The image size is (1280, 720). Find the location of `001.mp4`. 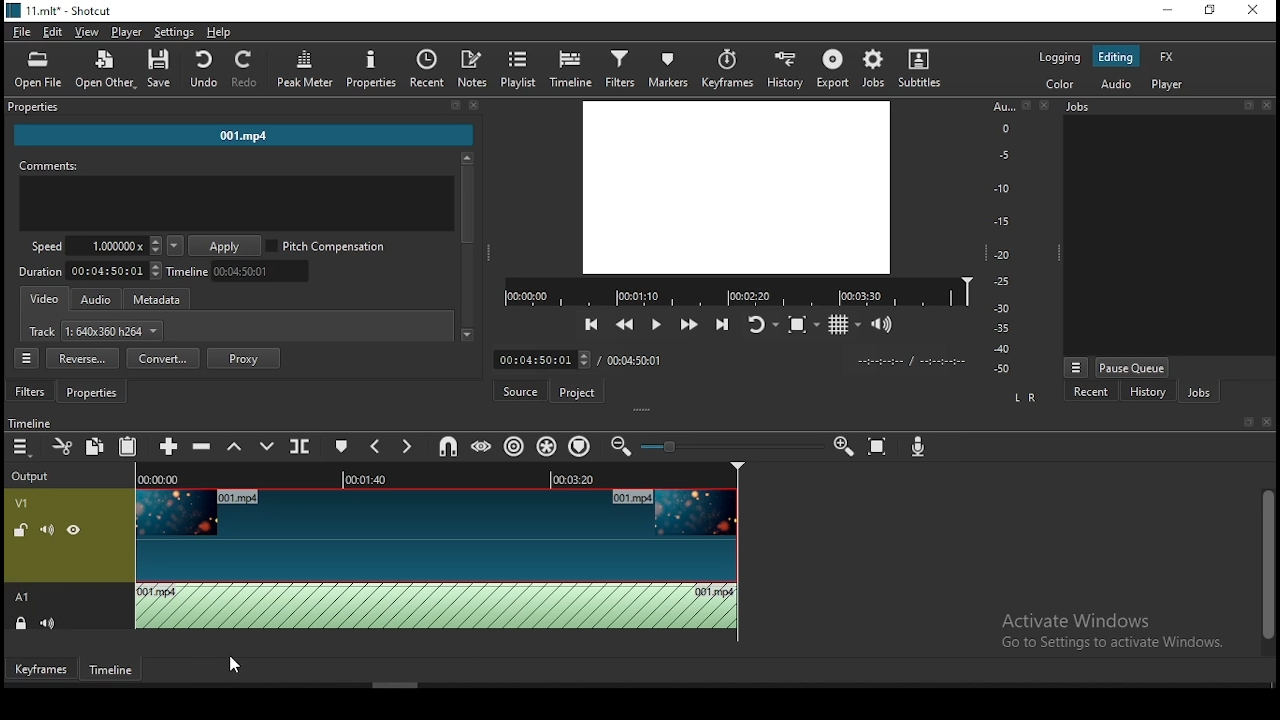

001.mp4 is located at coordinates (244, 135).